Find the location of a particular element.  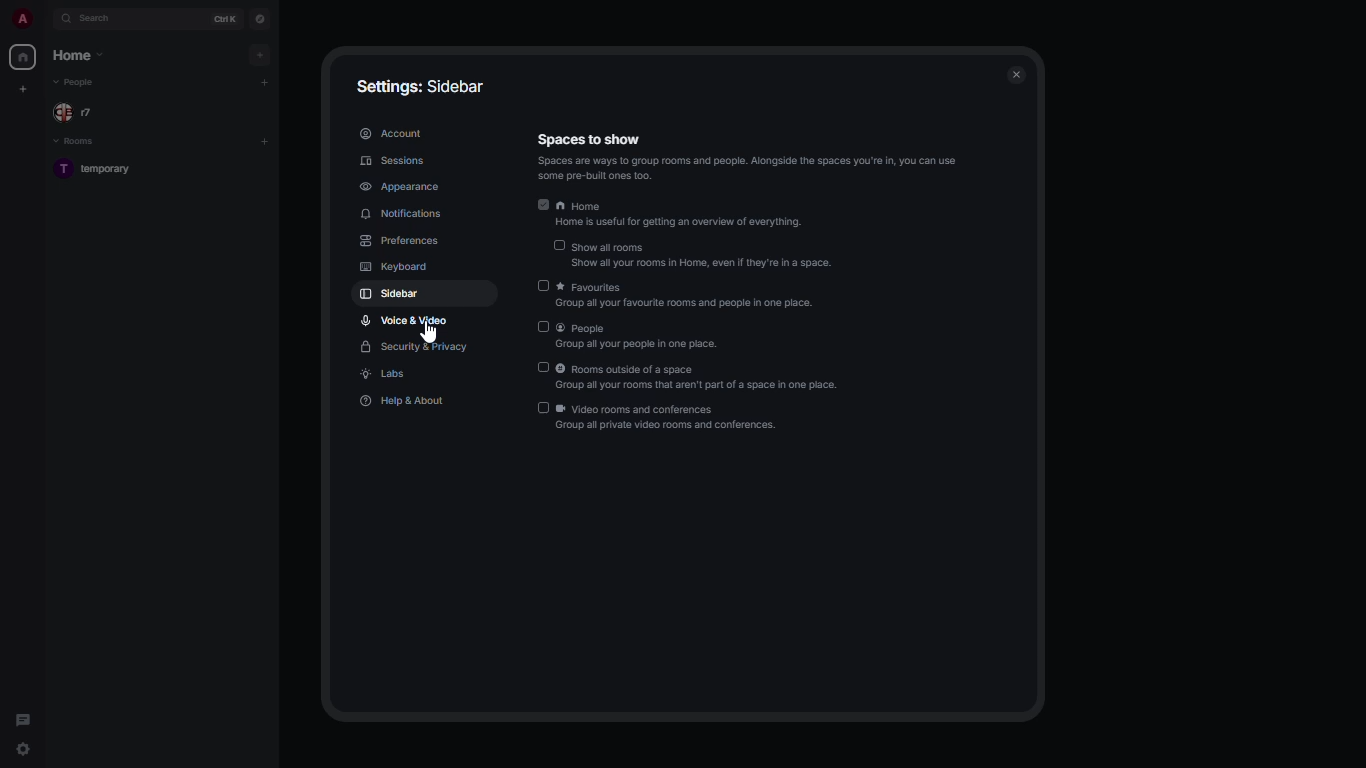

people is located at coordinates (78, 111).